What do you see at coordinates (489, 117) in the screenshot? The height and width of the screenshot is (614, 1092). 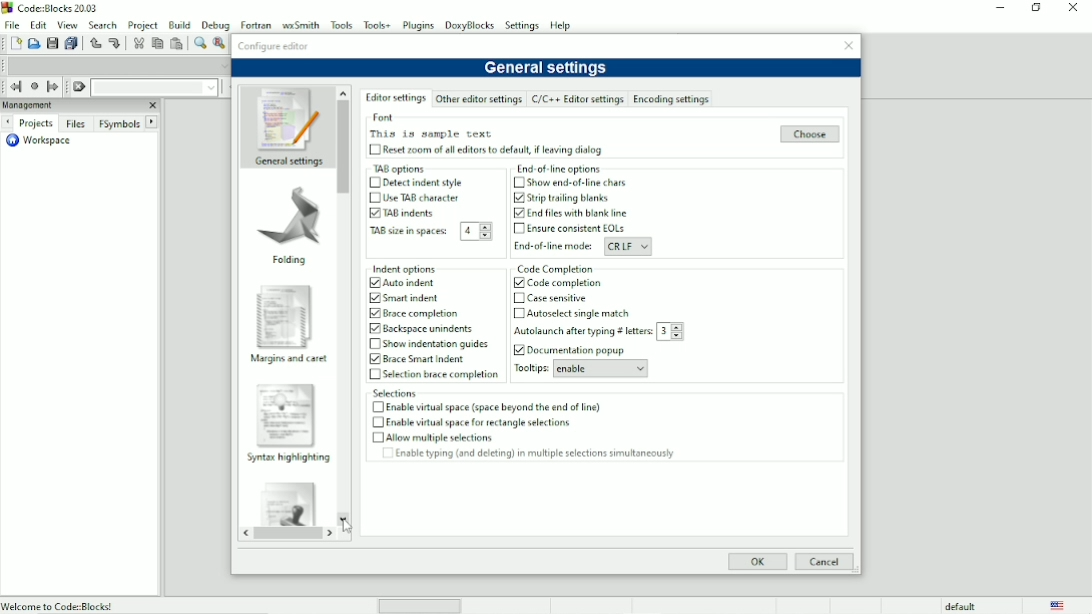 I see `Font` at bounding box center [489, 117].